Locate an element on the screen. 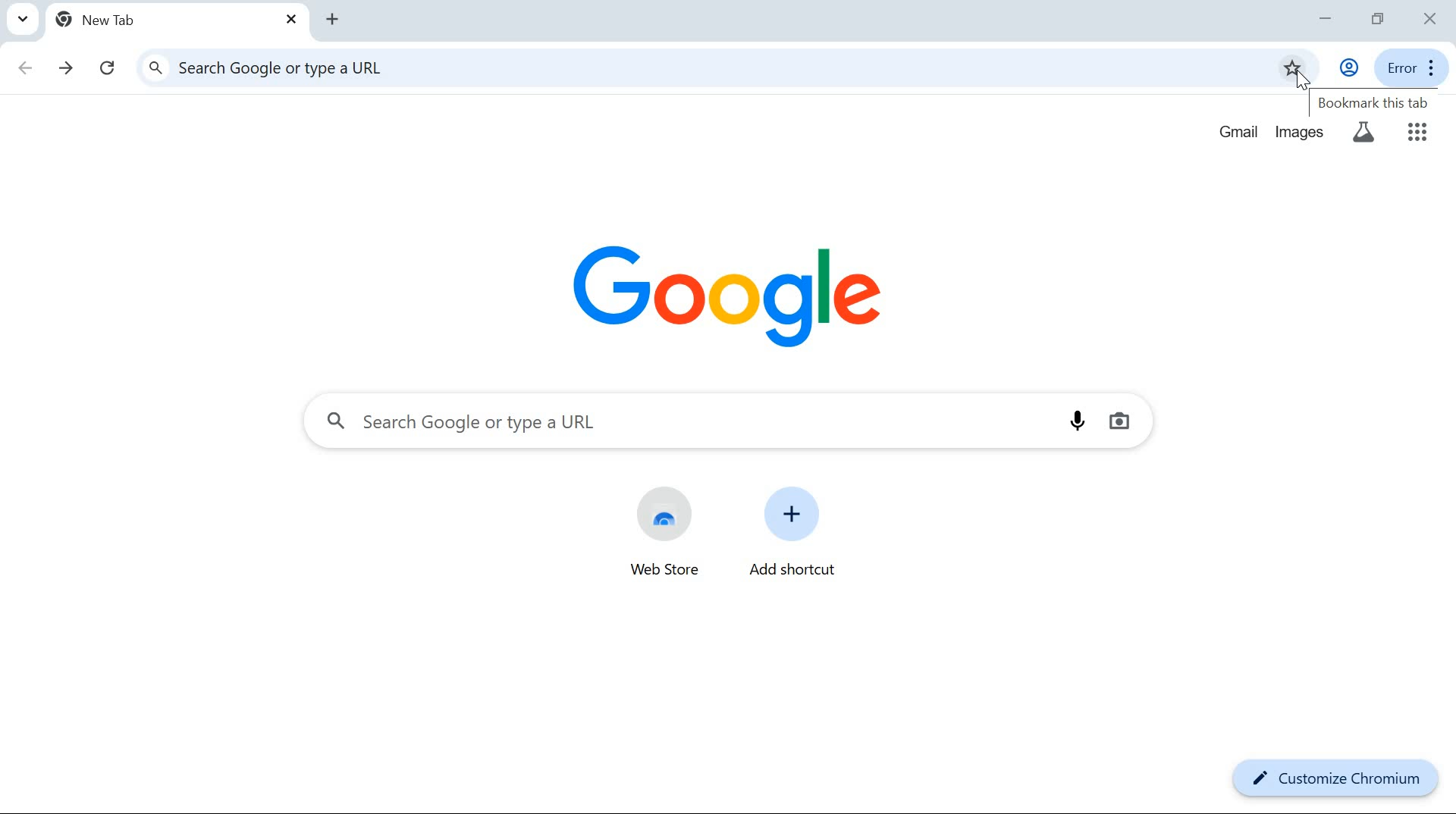 Image resolution: width=1456 pixels, height=814 pixels. voice search is located at coordinates (1078, 420).